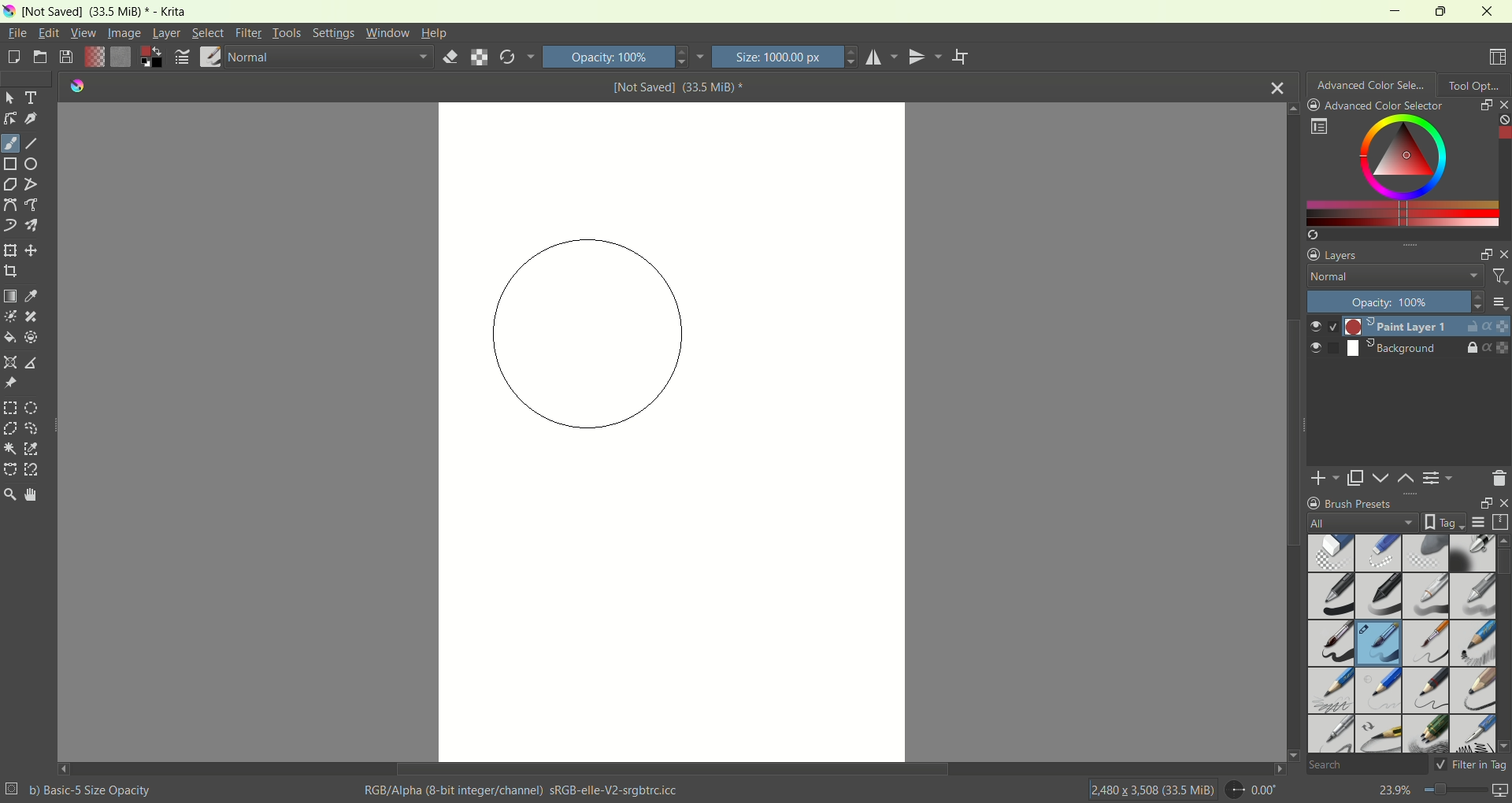  Describe the element at coordinates (32, 144) in the screenshot. I see `line` at that location.